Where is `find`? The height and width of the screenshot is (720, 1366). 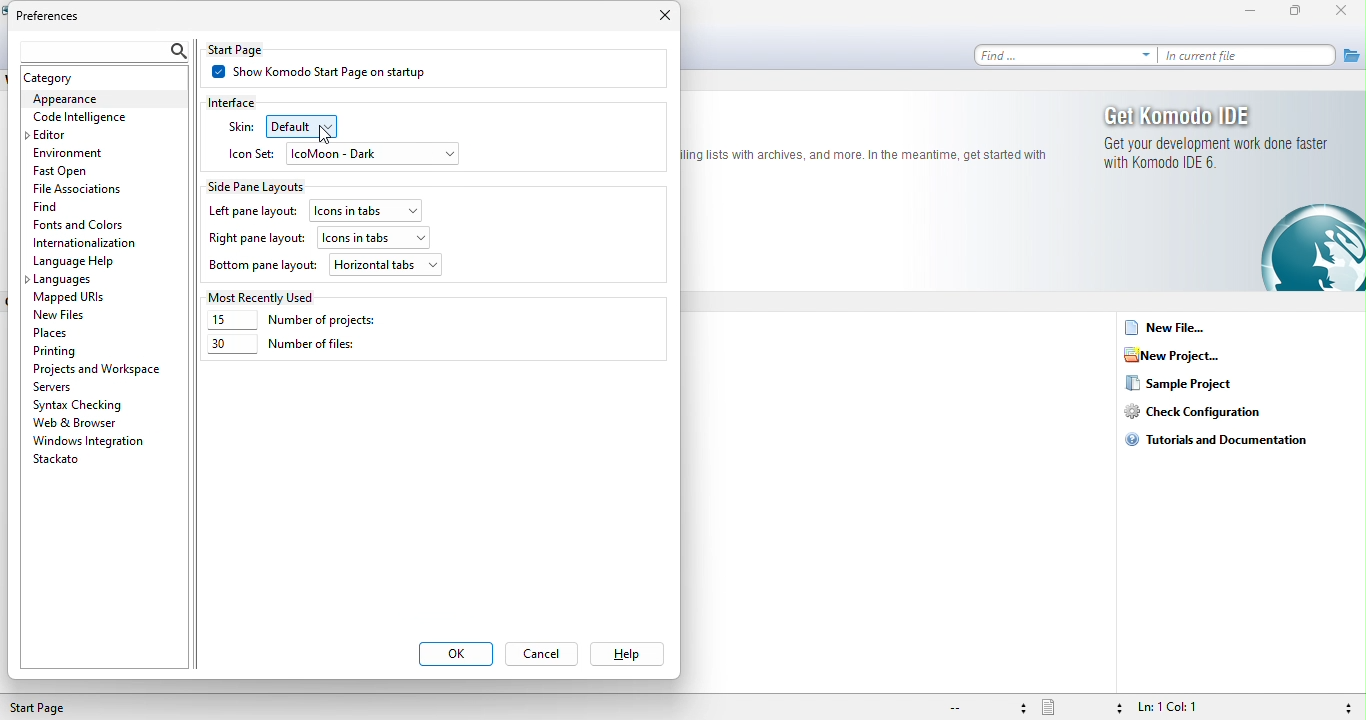 find is located at coordinates (88, 206).